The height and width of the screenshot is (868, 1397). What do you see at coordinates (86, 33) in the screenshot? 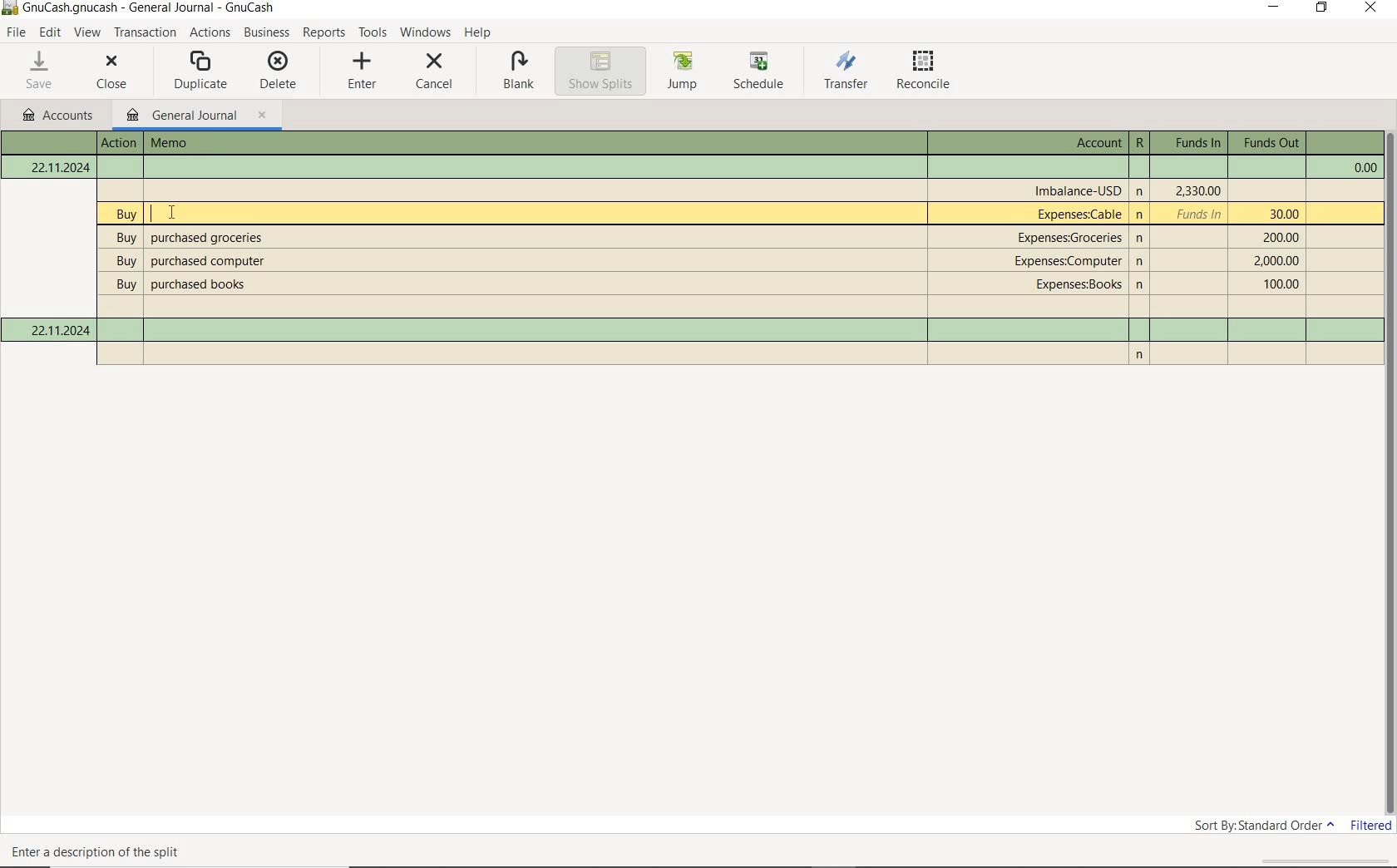
I see `VIEW` at bounding box center [86, 33].